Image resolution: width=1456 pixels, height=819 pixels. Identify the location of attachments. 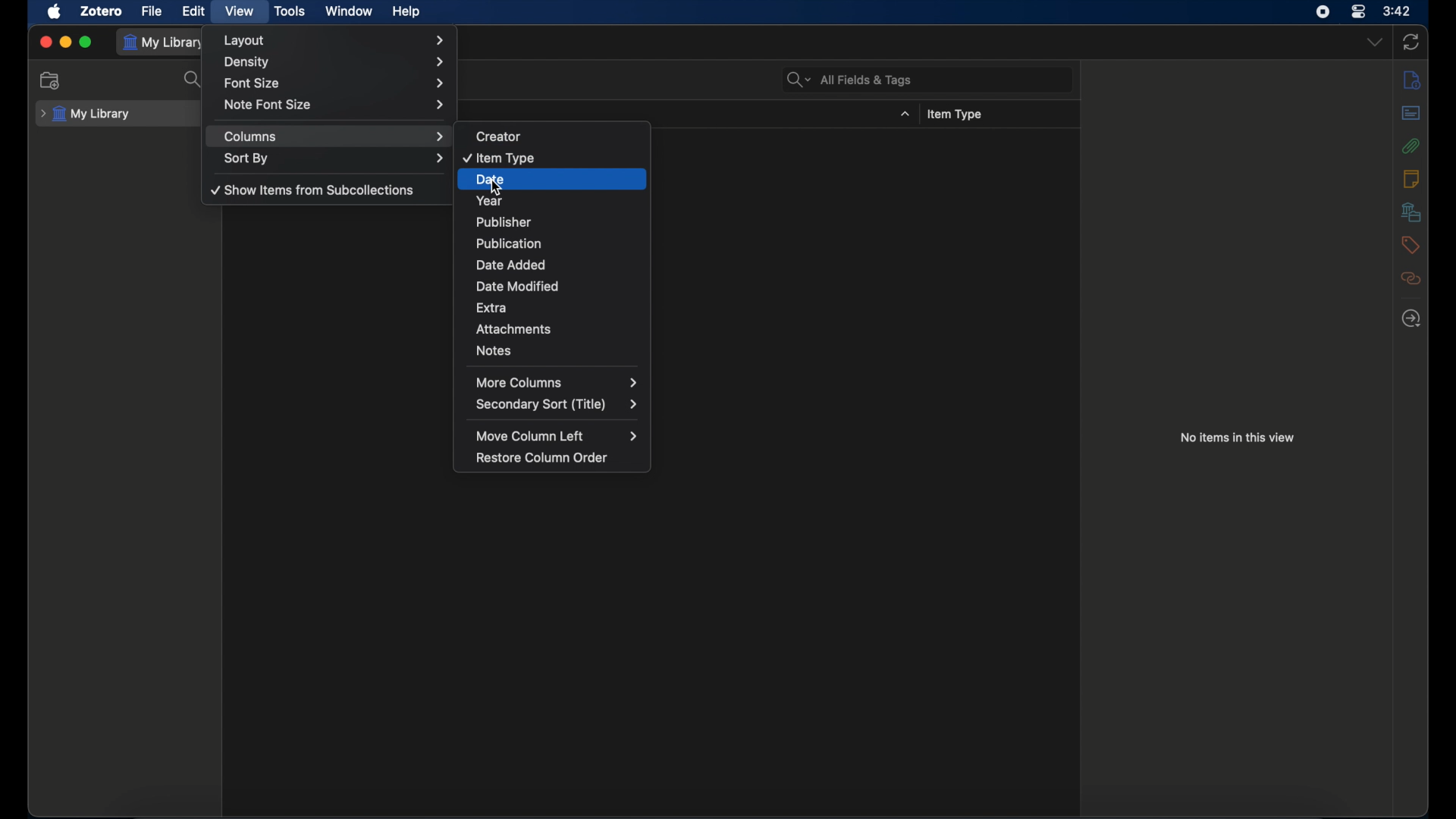
(1410, 146).